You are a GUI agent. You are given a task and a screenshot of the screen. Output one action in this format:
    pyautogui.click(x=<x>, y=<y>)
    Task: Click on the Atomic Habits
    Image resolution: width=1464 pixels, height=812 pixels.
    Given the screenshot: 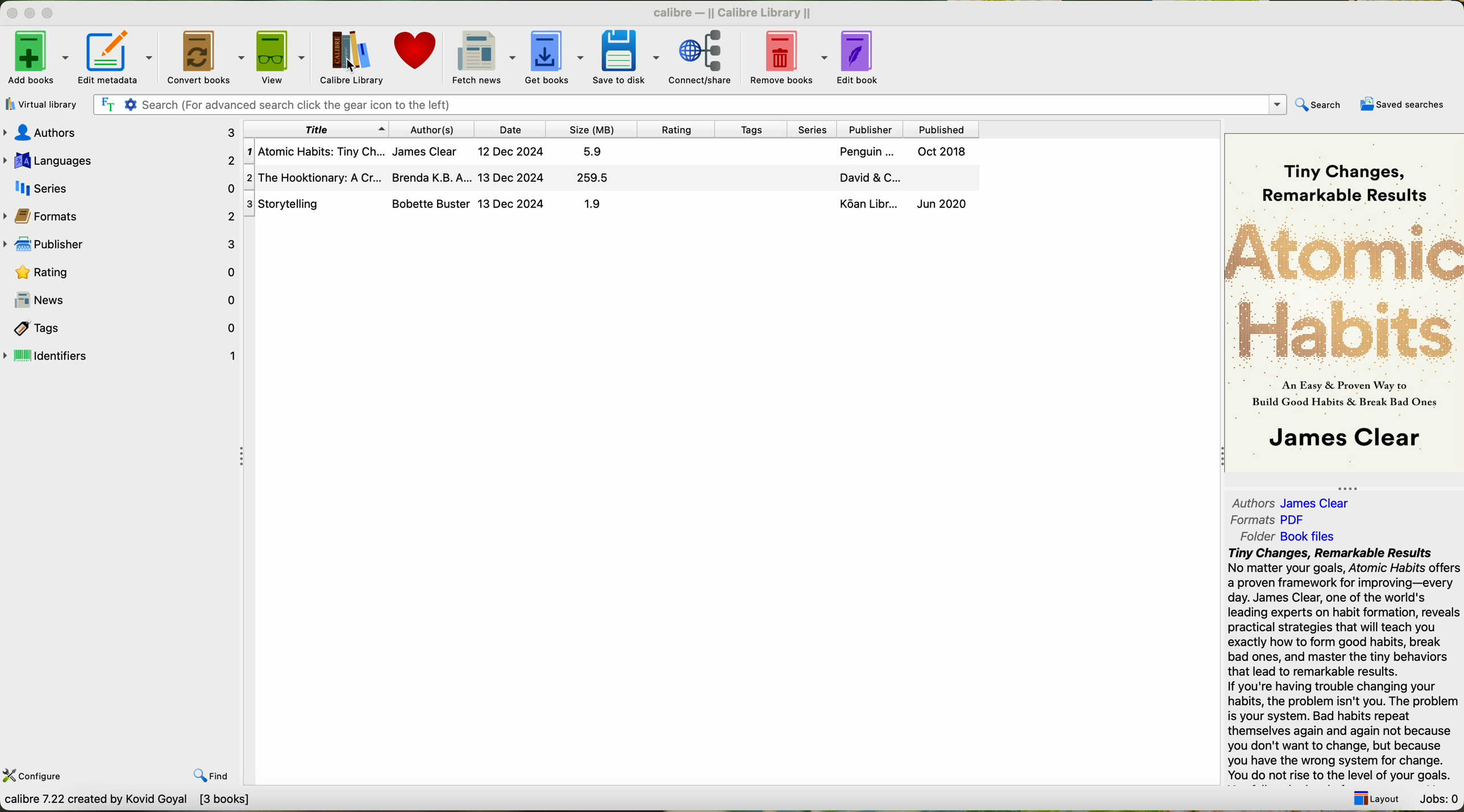 What is the action you would take?
    pyautogui.click(x=1344, y=291)
    